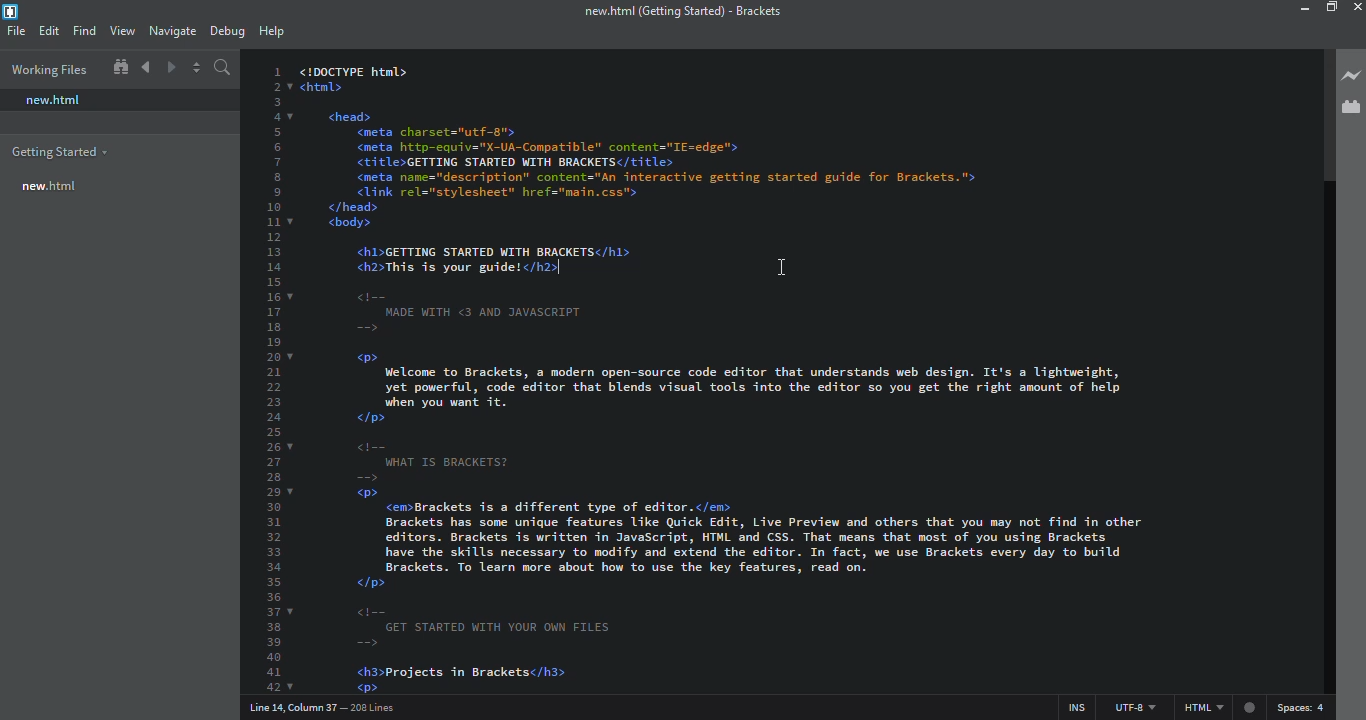 This screenshot has height=720, width=1366. What do you see at coordinates (50, 30) in the screenshot?
I see `edit` at bounding box center [50, 30].